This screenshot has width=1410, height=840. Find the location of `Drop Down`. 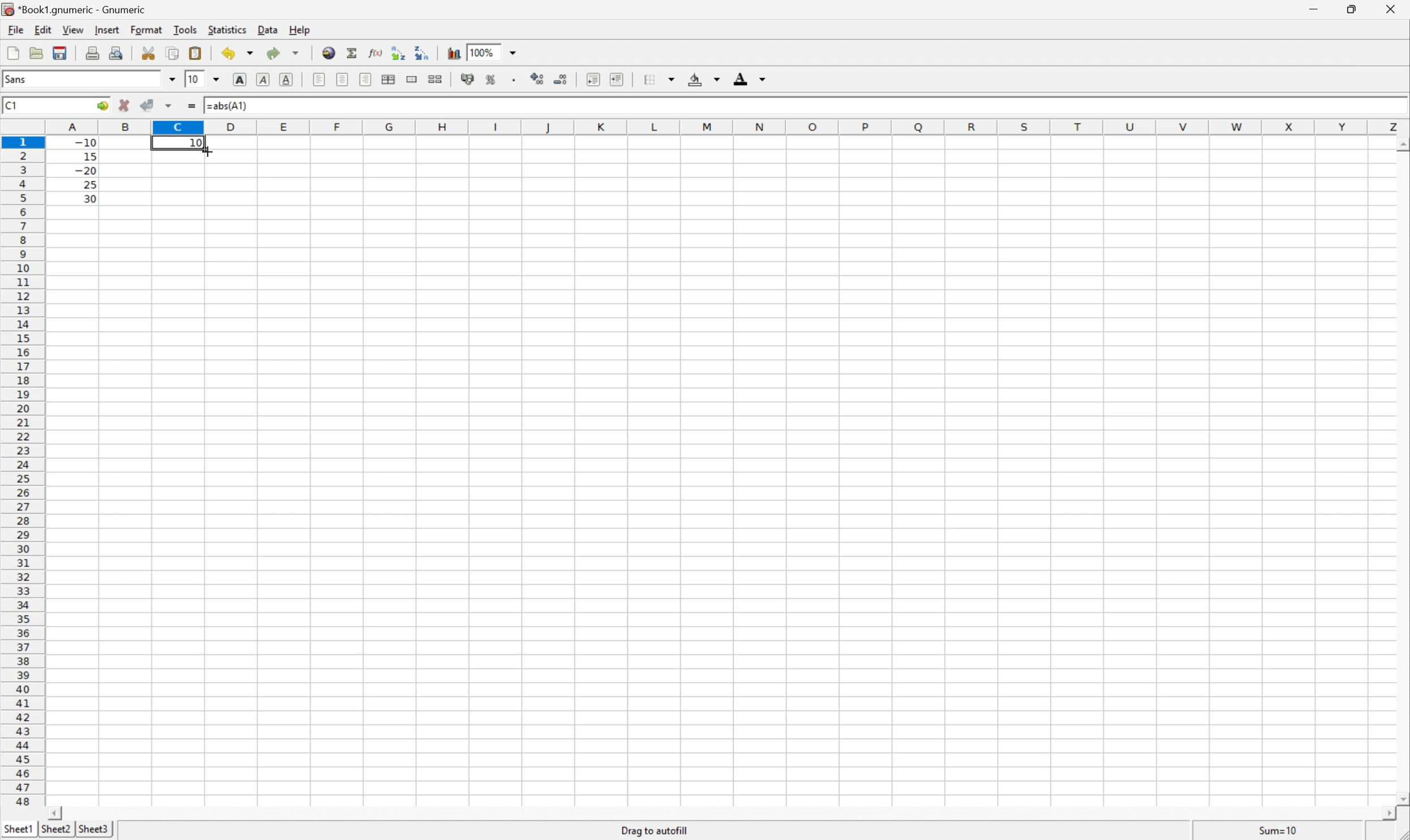

Drop Down is located at coordinates (516, 52).